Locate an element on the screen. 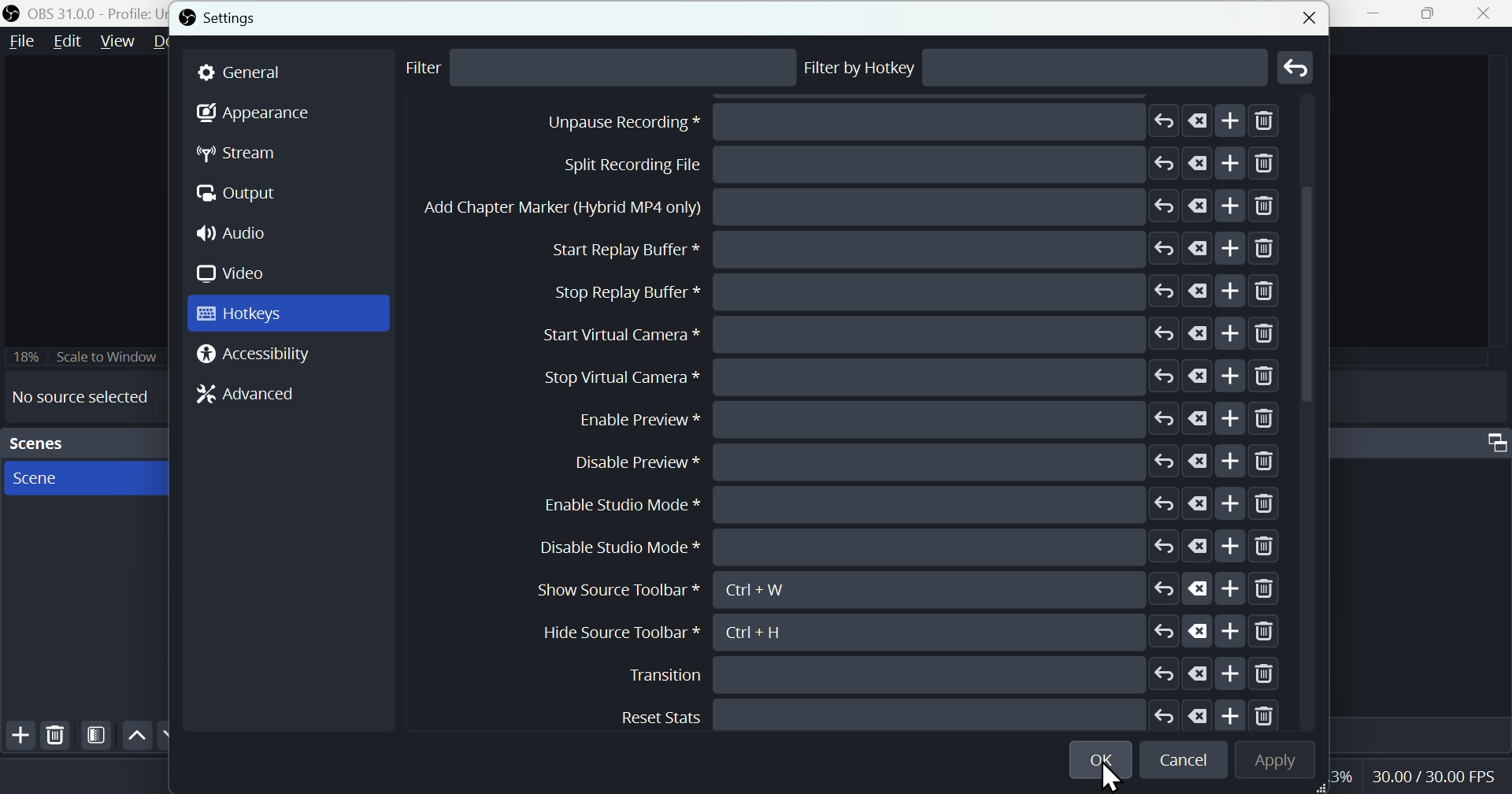 The height and width of the screenshot is (794, 1512). View is located at coordinates (114, 42).